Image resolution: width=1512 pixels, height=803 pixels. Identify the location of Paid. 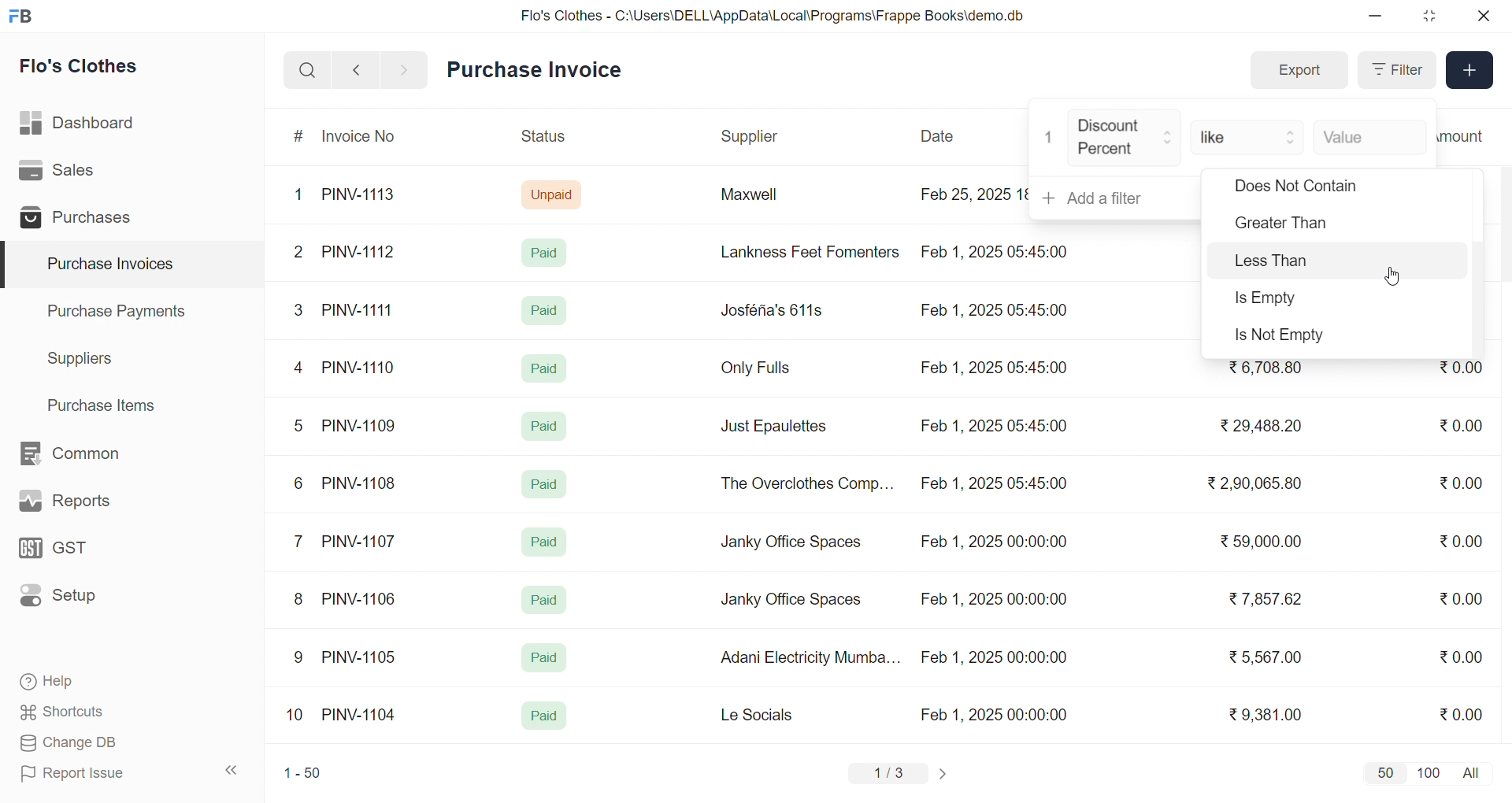
(545, 600).